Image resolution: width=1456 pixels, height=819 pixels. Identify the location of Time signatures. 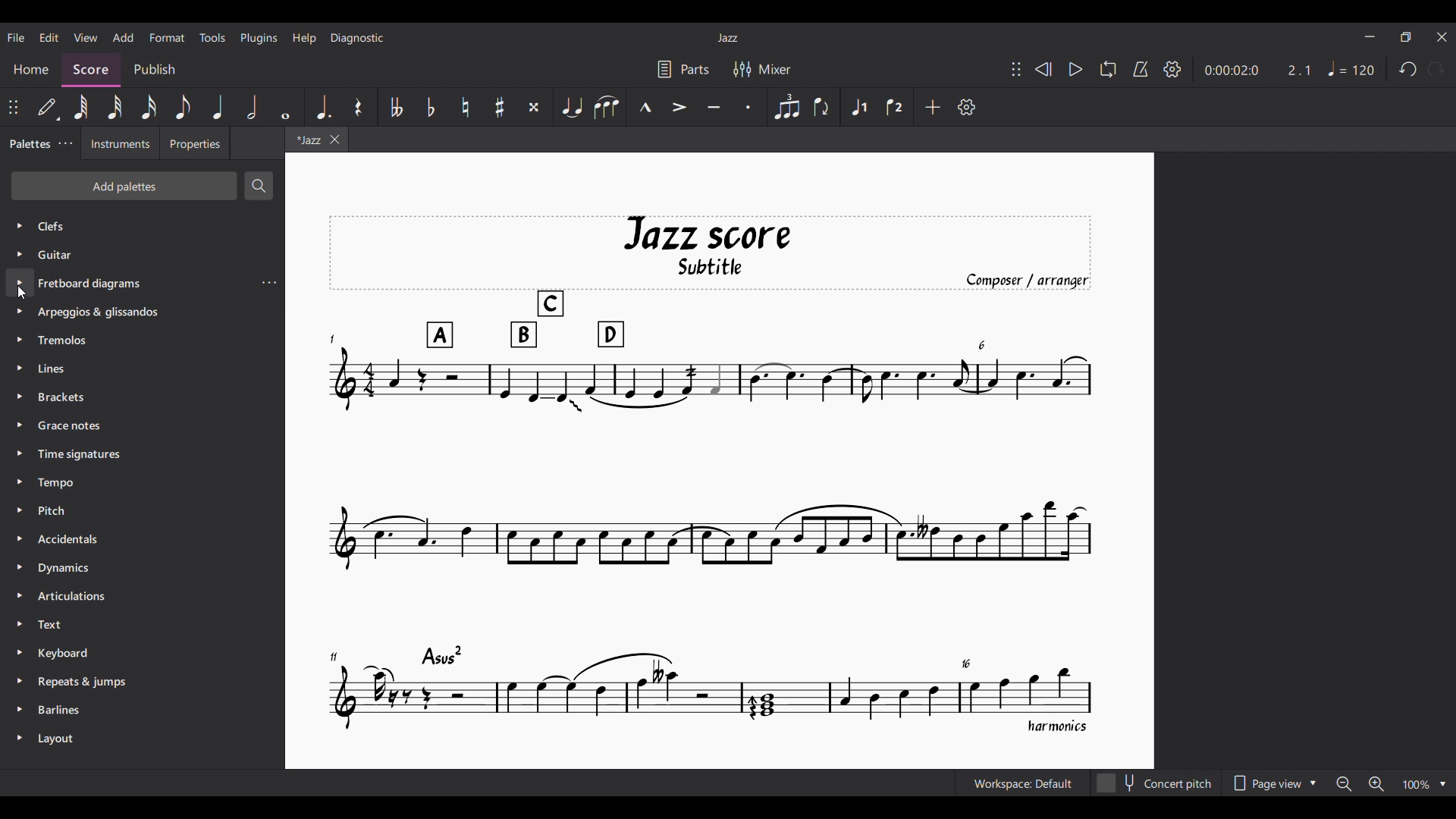
(82, 455).